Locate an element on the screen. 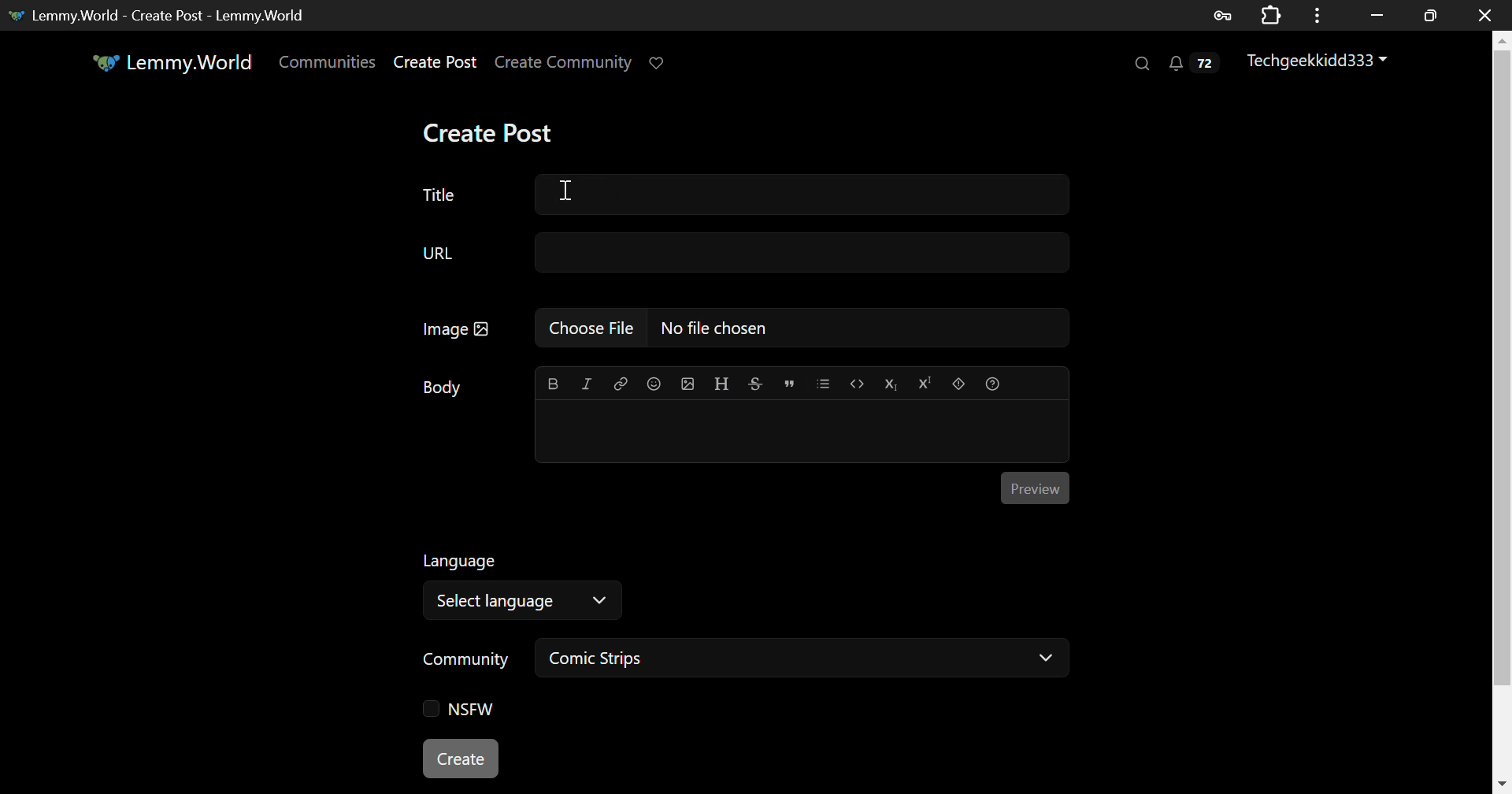 This screenshot has width=1512, height=794. Formatting Help is located at coordinates (993, 384).